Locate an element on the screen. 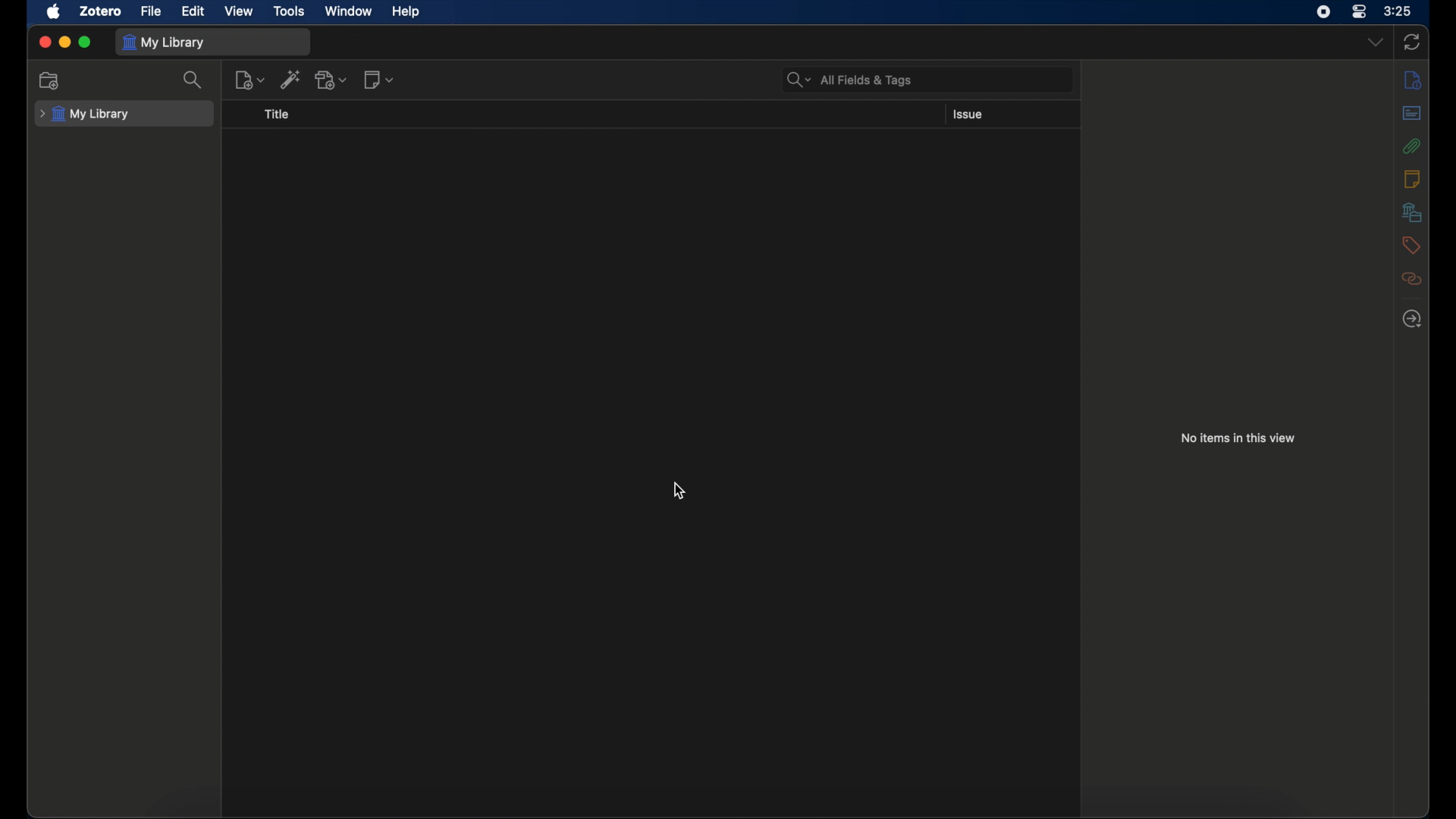 This screenshot has height=819, width=1456. new item is located at coordinates (251, 80).